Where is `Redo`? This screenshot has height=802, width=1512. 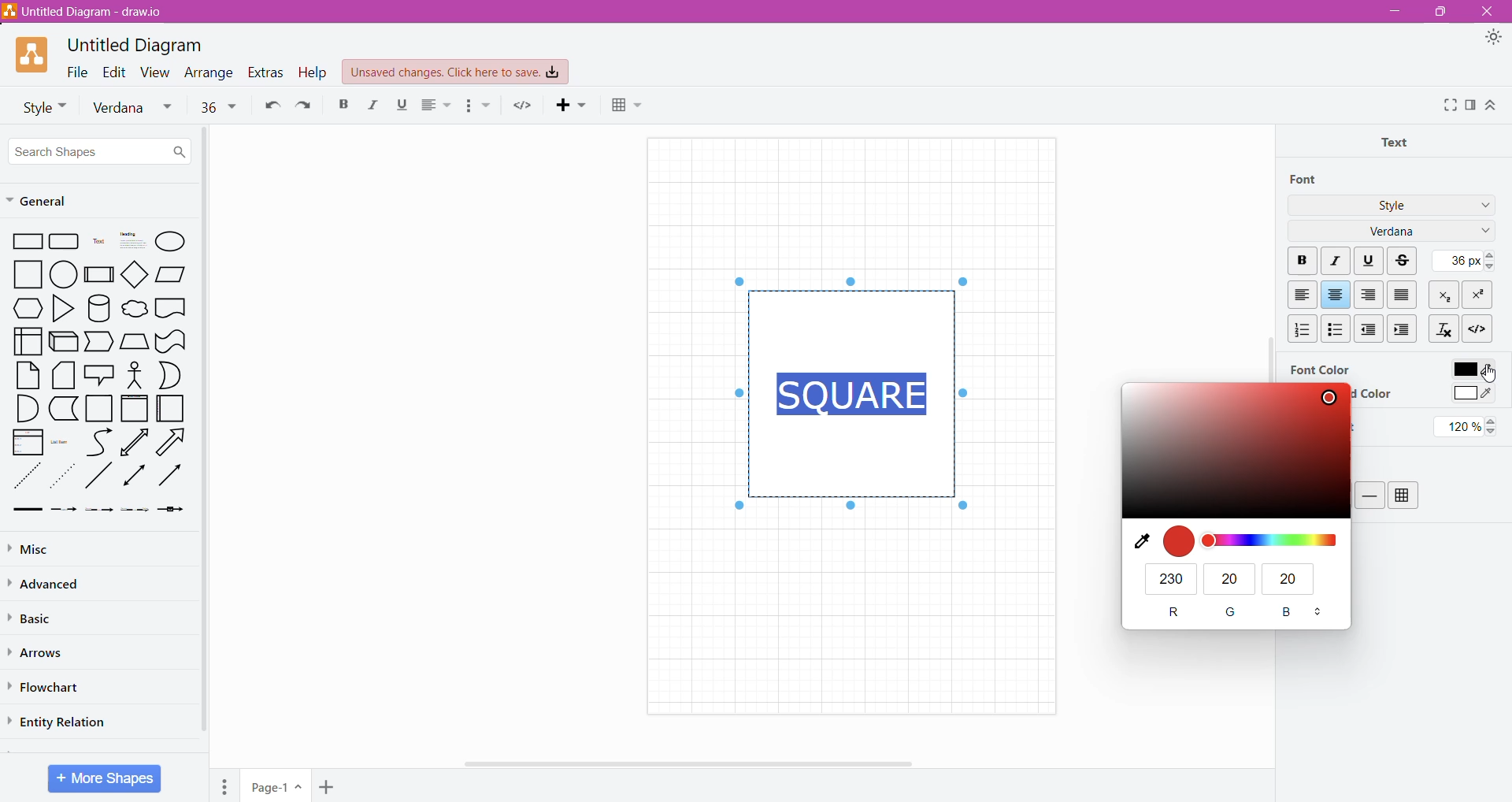
Redo is located at coordinates (309, 104).